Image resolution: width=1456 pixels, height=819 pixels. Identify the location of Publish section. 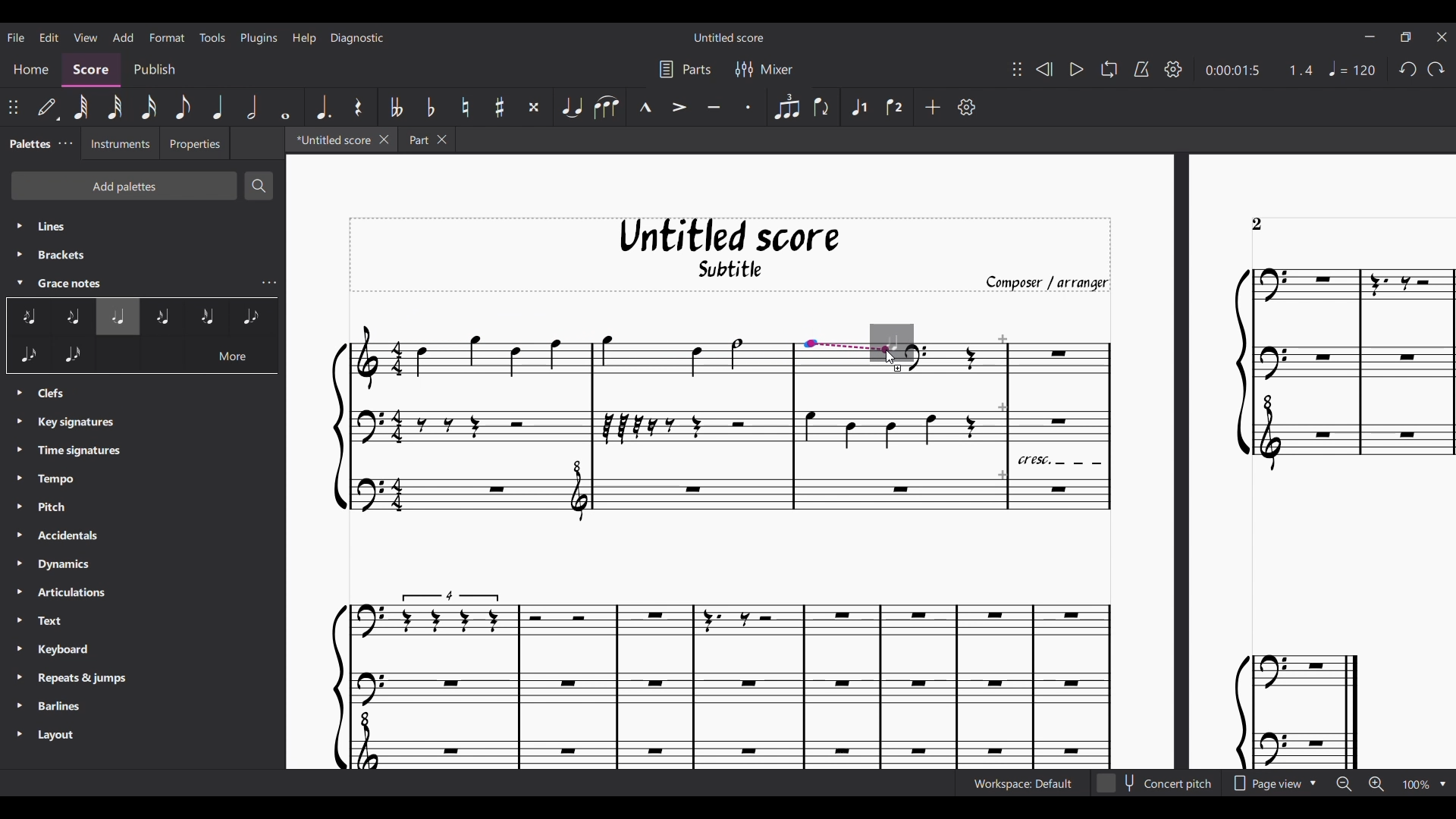
(153, 71).